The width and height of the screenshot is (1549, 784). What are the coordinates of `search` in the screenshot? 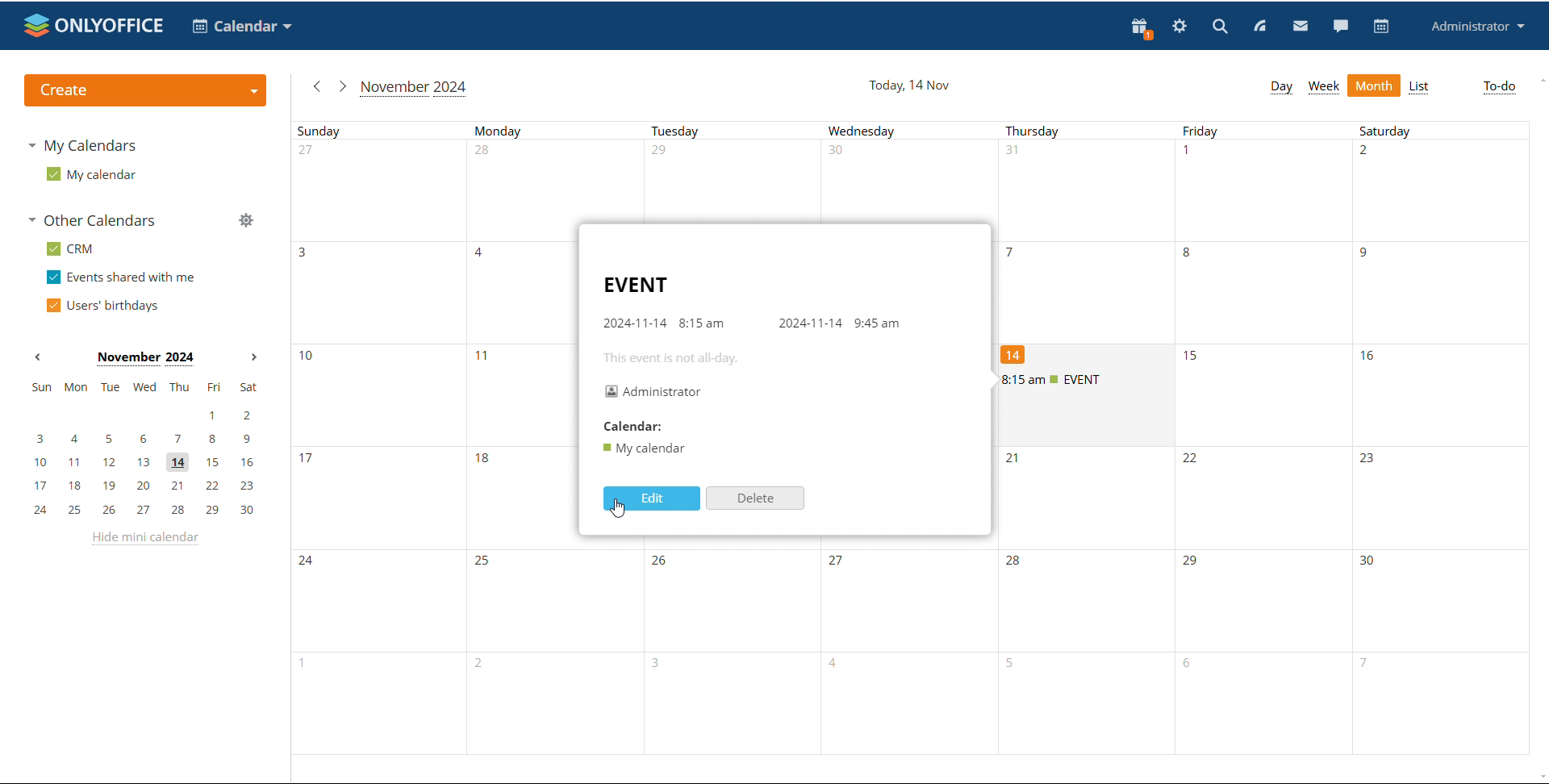 It's located at (1220, 25).